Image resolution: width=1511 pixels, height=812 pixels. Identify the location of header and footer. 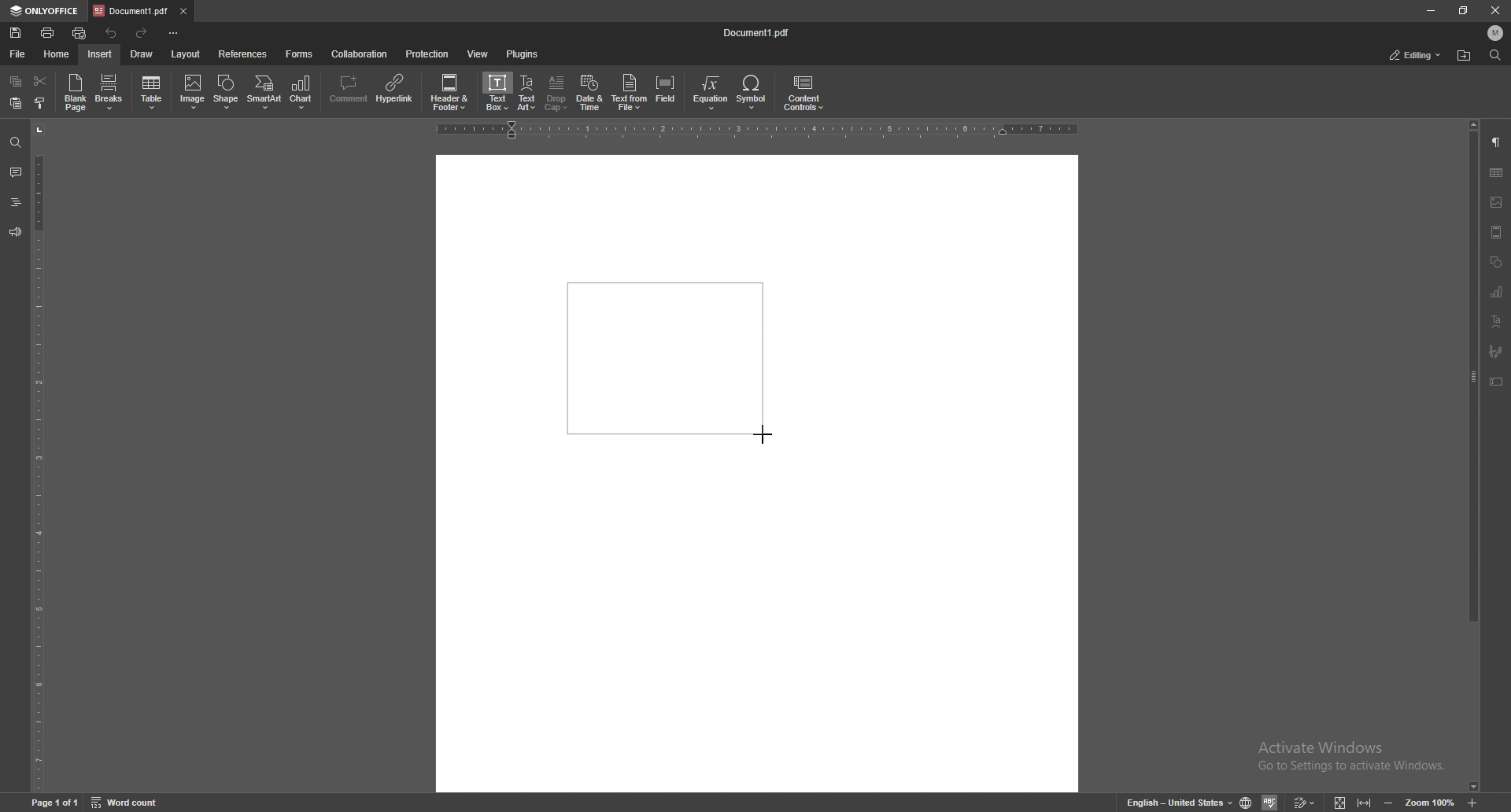
(453, 91).